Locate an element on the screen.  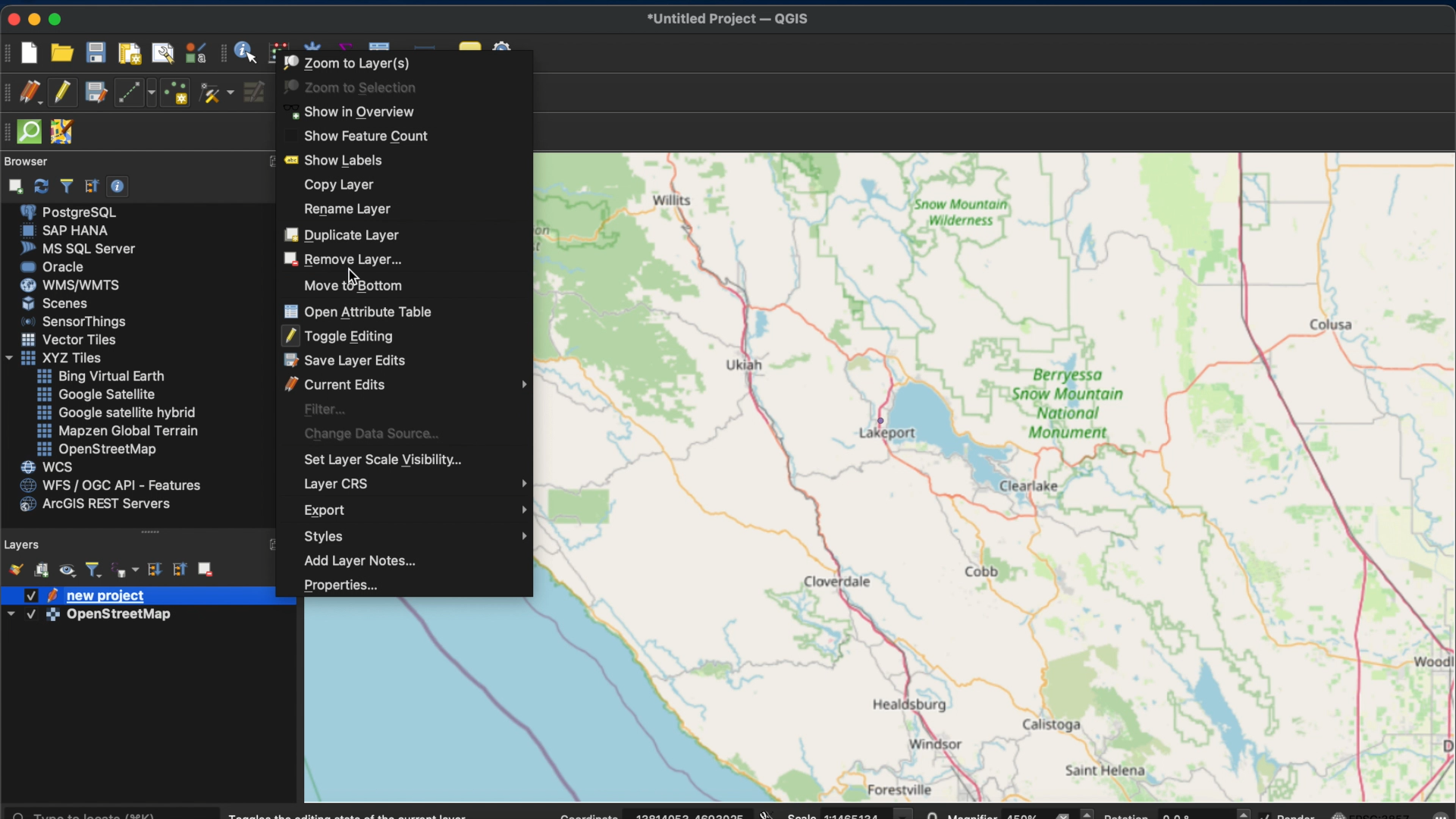
bing virtual earth is located at coordinates (99, 376).